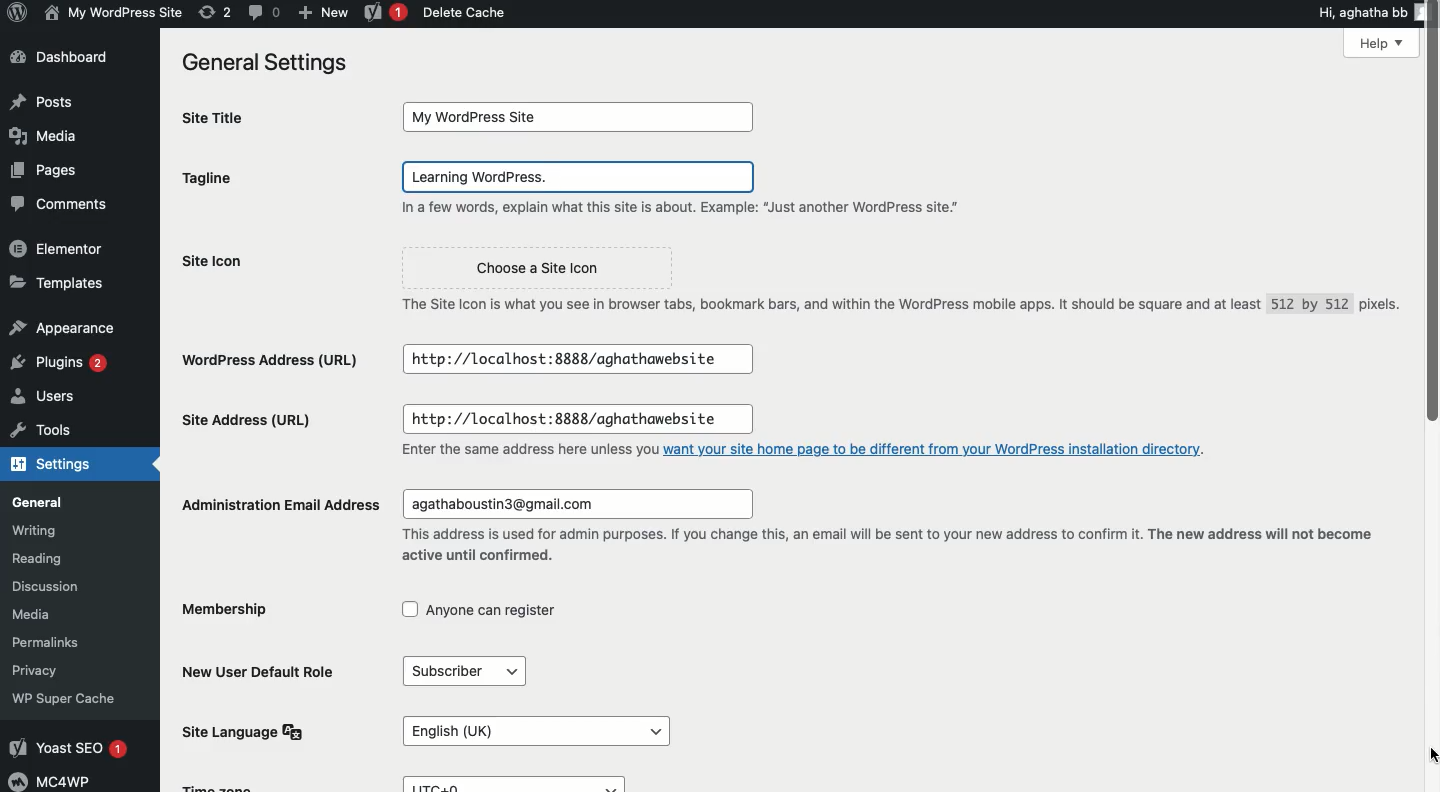 Image resolution: width=1440 pixels, height=792 pixels. What do you see at coordinates (40, 172) in the screenshot?
I see `Pages` at bounding box center [40, 172].